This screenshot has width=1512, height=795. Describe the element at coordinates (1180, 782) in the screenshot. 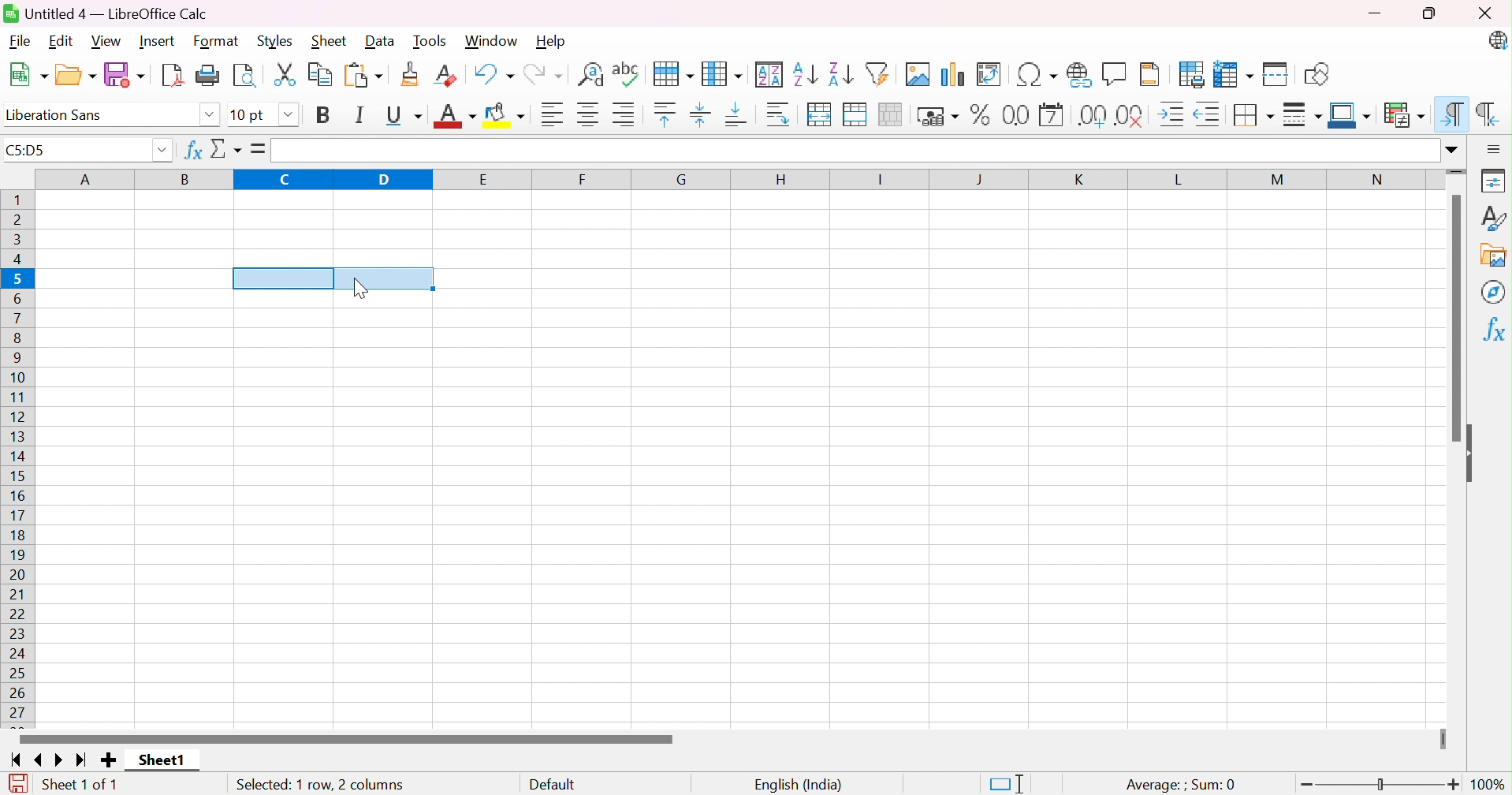

I see `Average: ;Sum: 0` at that location.